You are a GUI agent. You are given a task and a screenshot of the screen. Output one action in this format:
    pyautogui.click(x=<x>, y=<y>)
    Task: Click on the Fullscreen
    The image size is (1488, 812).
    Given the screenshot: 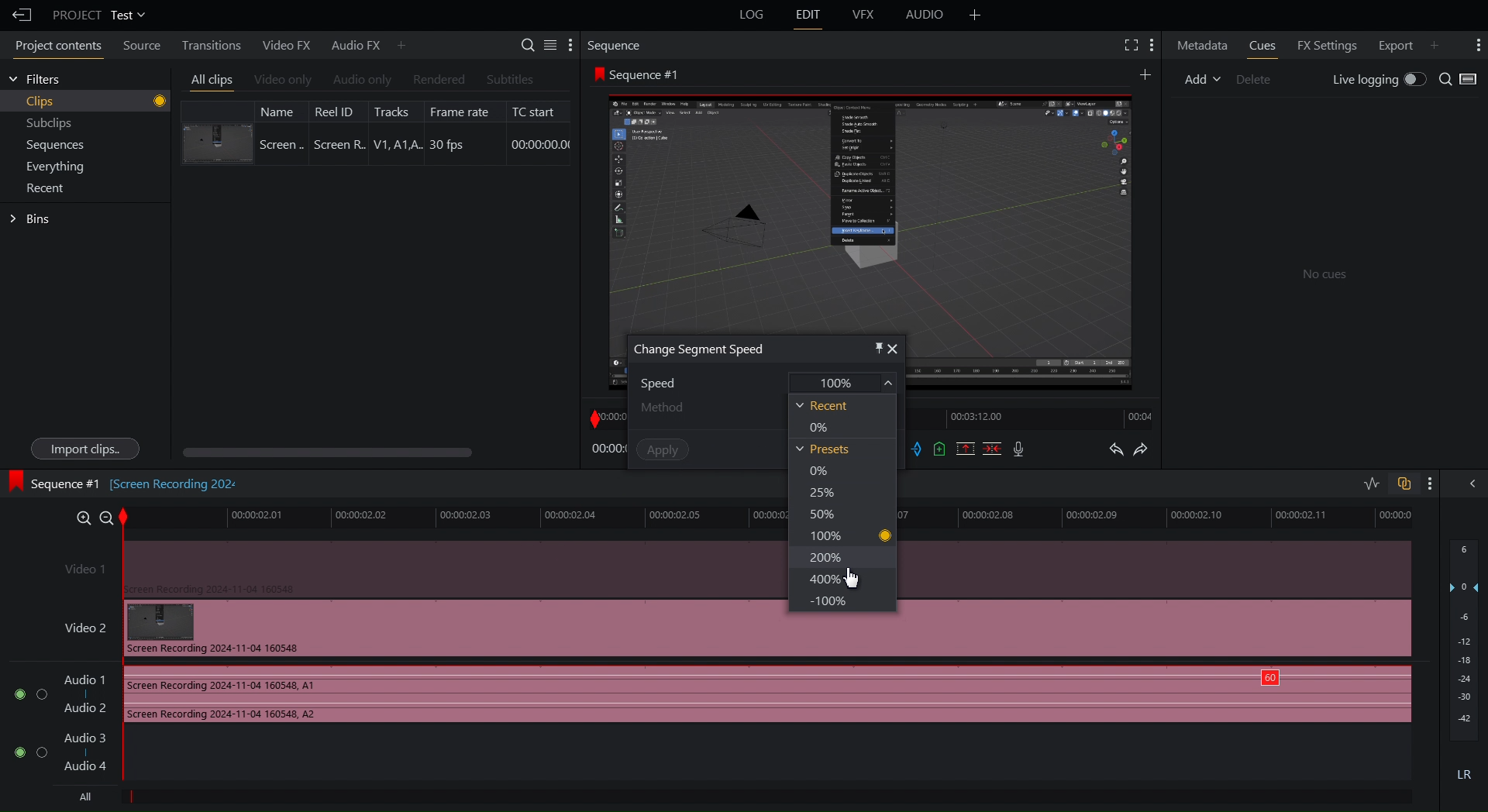 What is the action you would take?
    pyautogui.click(x=1128, y=45)
    